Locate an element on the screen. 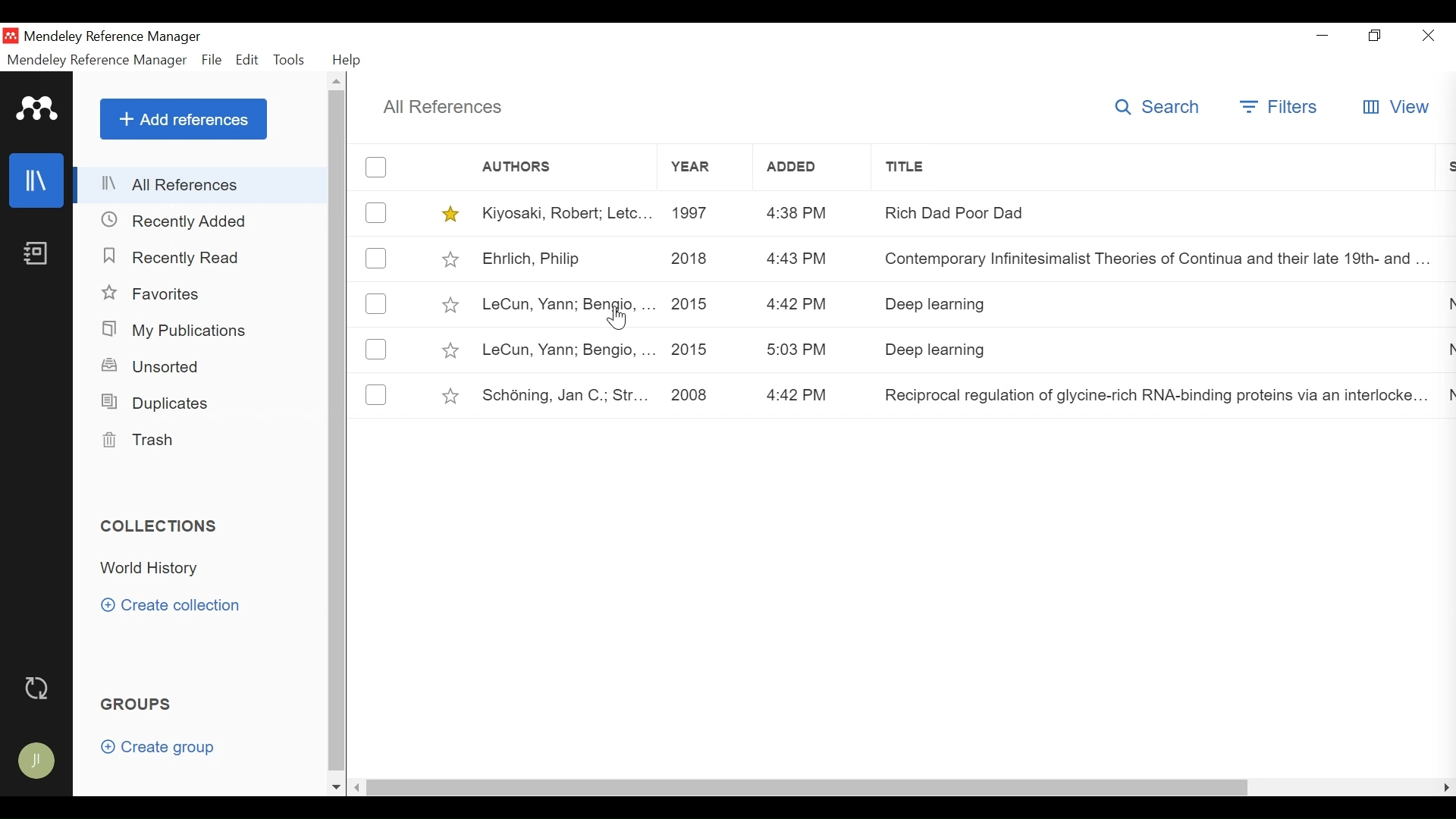 The image size is (1456, 819). Mendeley Reference Manger is located at coordinates (122, 36).